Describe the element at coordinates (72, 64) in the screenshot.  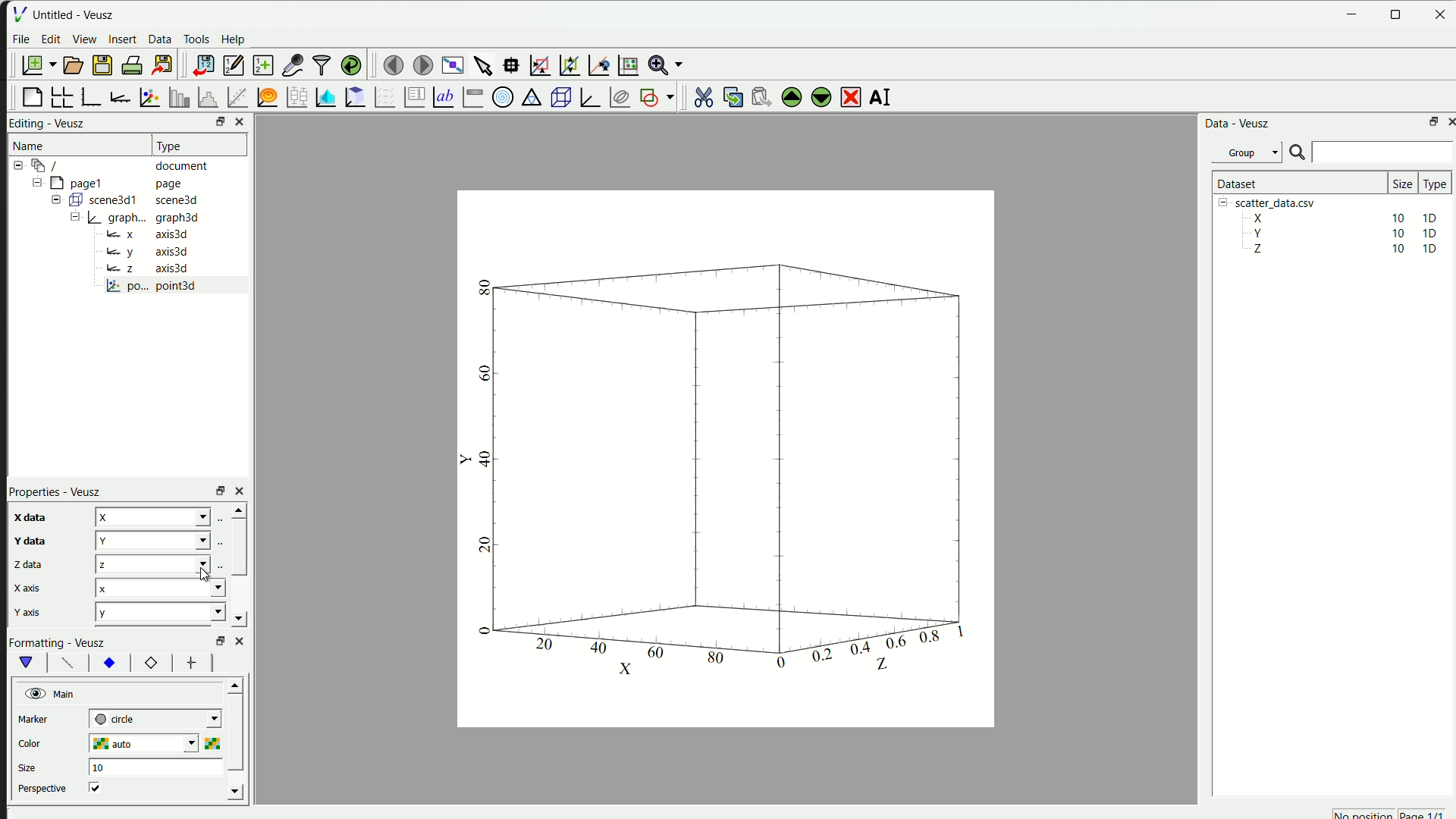
I see `open a document` at that location.